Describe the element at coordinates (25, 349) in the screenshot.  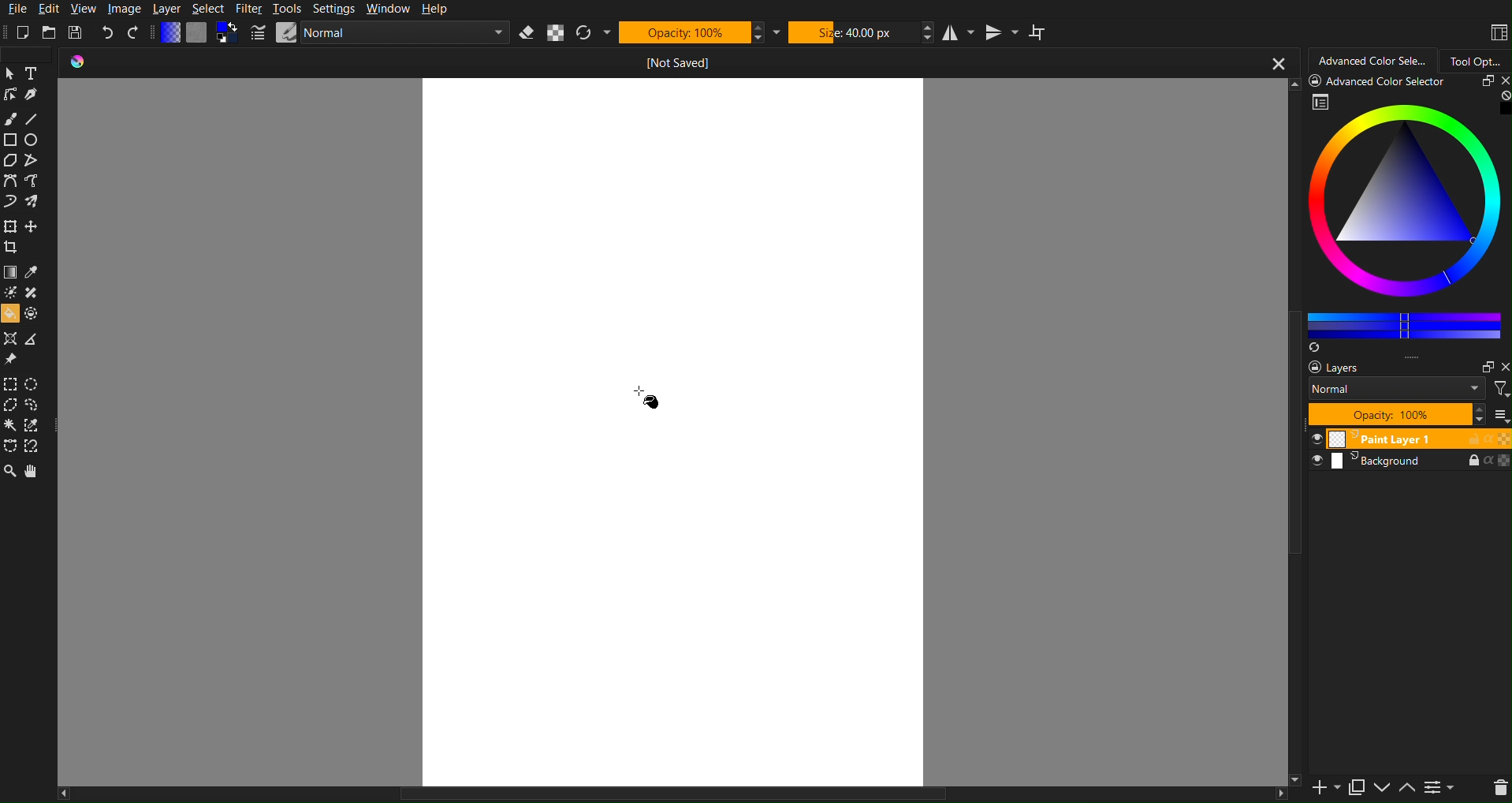
I see `Ruler Tools` at that location.